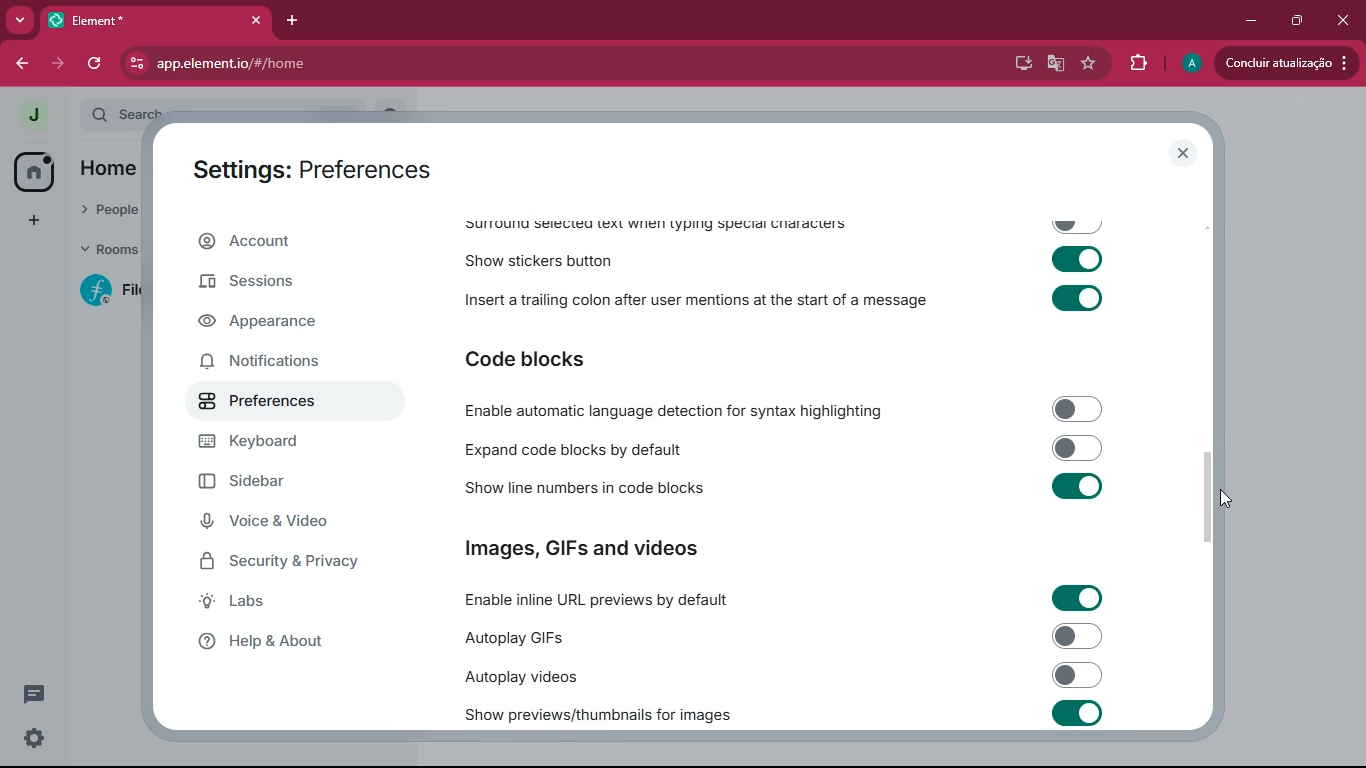 The width and height of the screenshot is (1366, 768). What do you see at coordinates (782, 301) in the screenshot?
I see `Insert a trailing colon after user mentions at the start of a message` at bounding box center [782, 301].